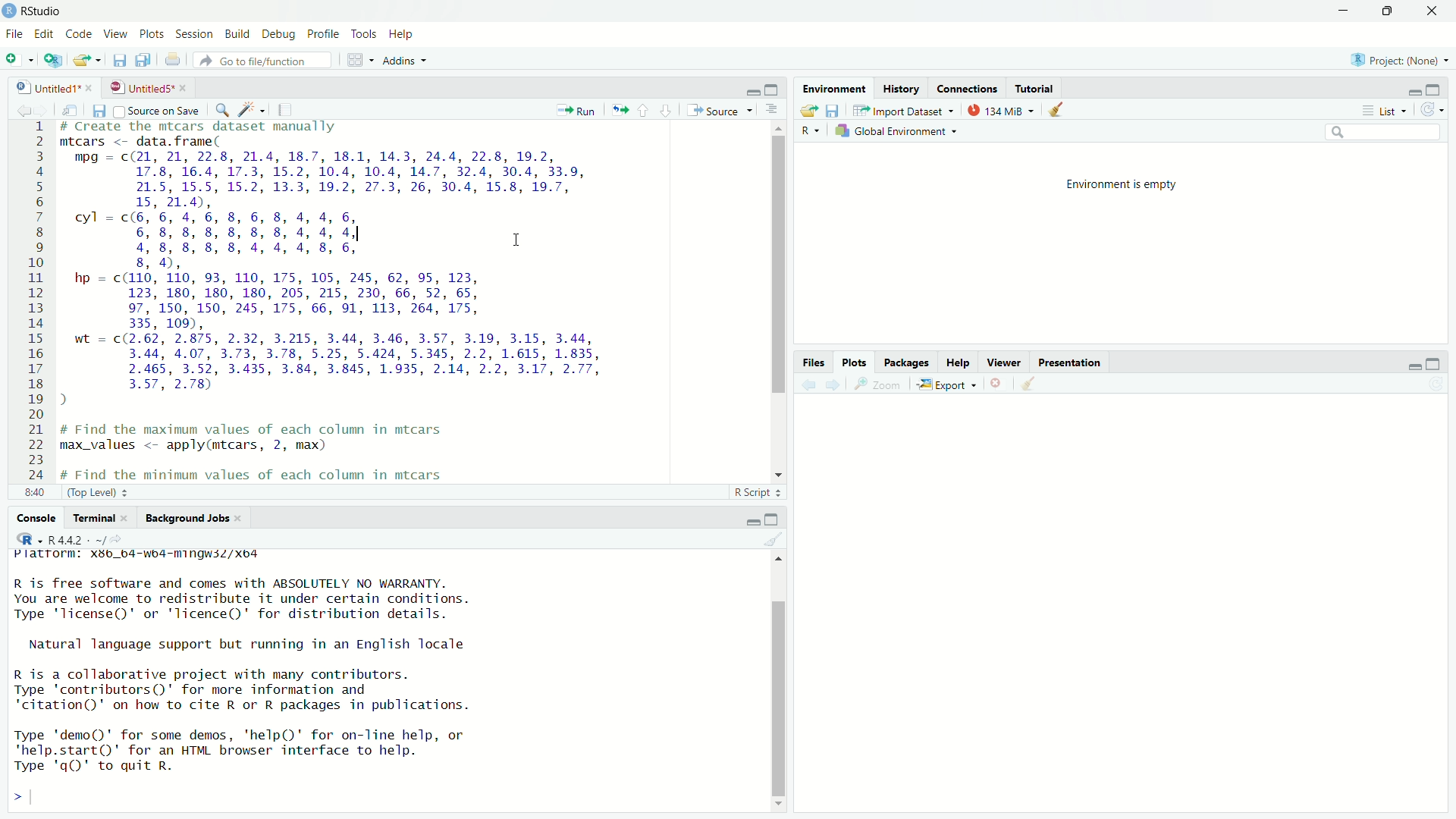  Describe the element at coordinates (93, 519) in the screenshot. I see `Terminal` at that location.